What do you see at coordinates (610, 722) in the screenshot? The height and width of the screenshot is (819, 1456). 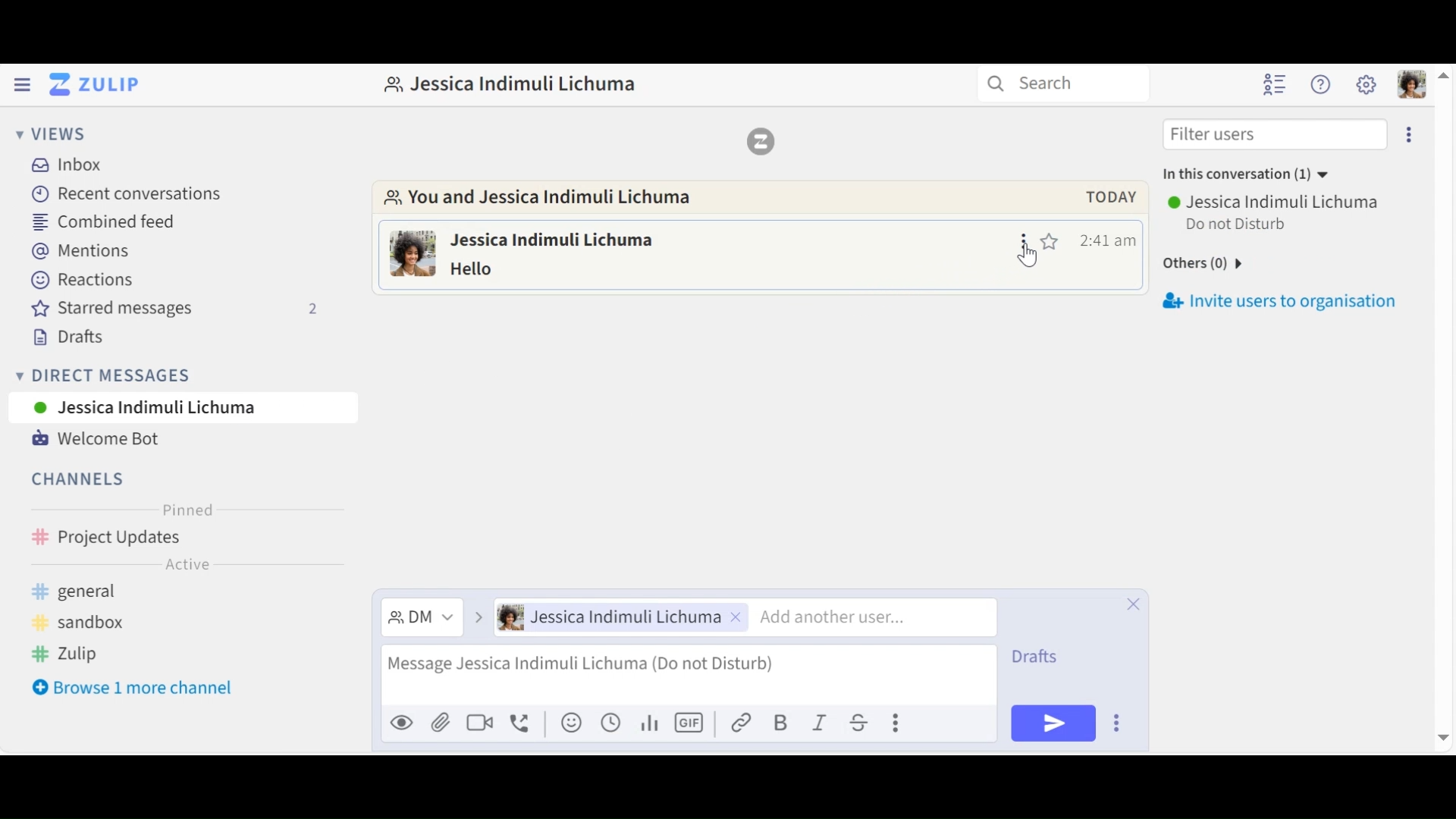 I see `Add global time` at bounding box center [610, 722].